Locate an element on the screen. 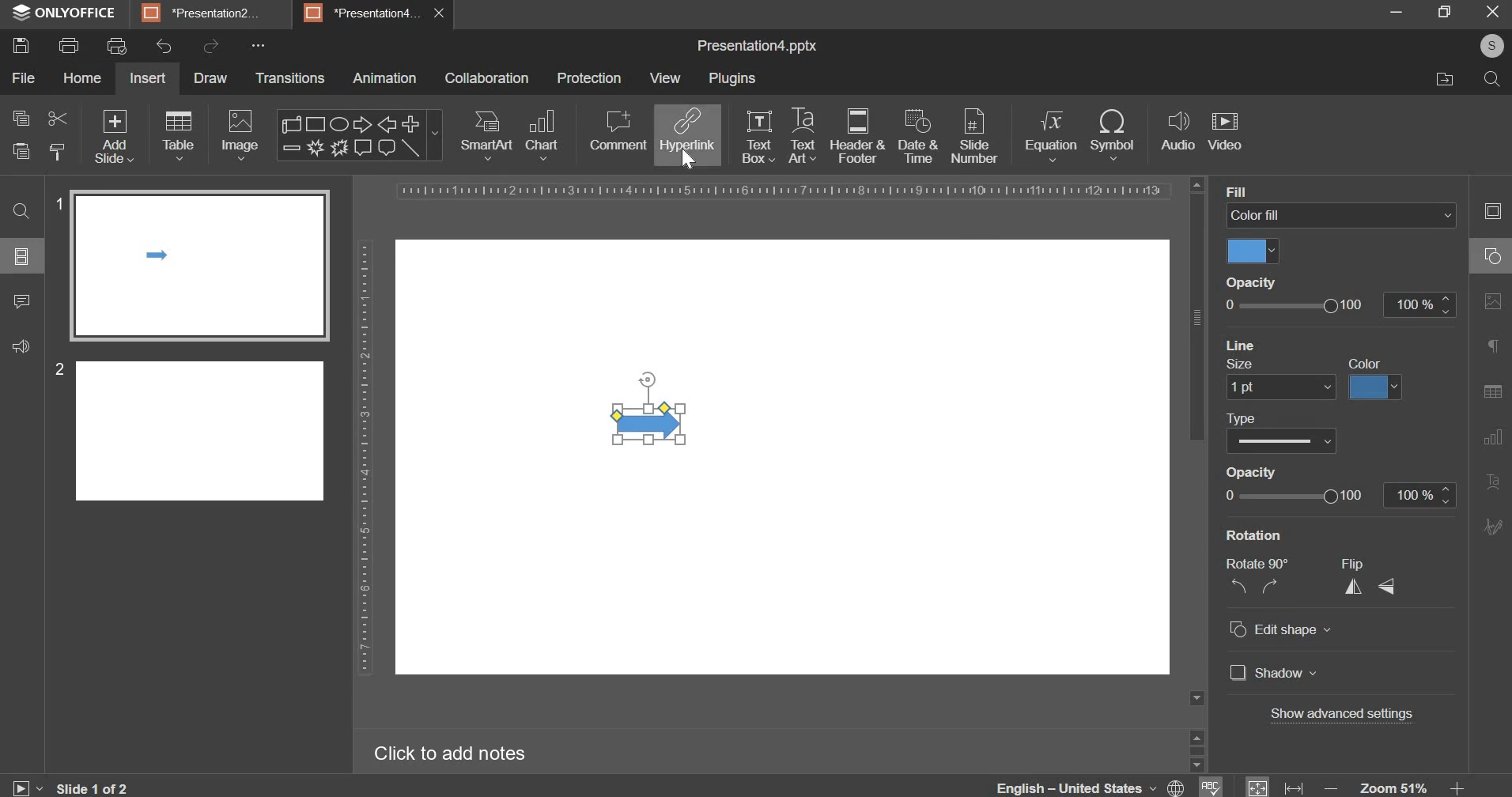 The image size is (1512, 797). cursor is located at coordinates (691, 161).